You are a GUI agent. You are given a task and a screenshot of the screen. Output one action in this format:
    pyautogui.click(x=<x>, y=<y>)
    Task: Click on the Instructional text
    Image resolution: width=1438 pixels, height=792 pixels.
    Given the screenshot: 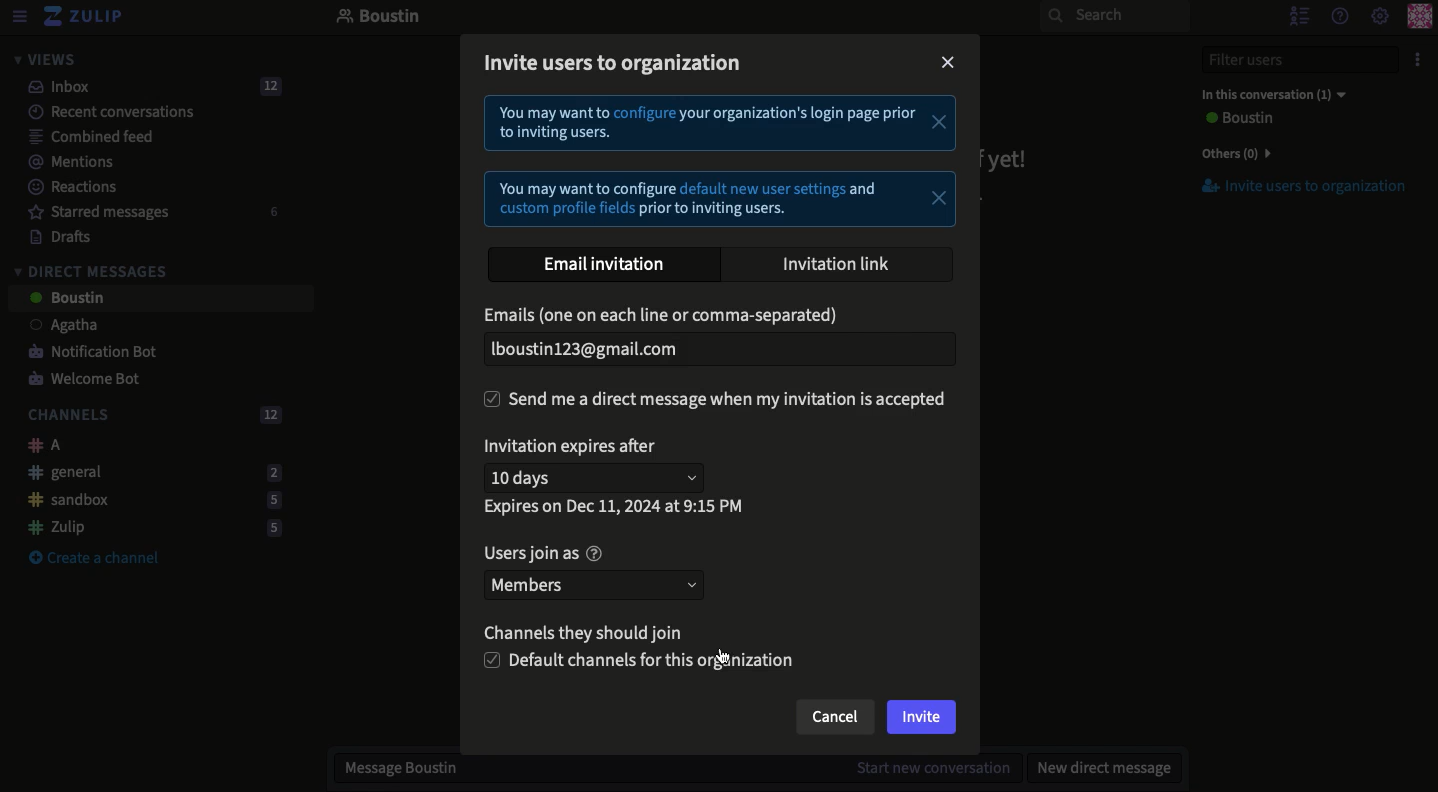 What is the action you would take?
    pyautogui.click(x=716, y=159)
    